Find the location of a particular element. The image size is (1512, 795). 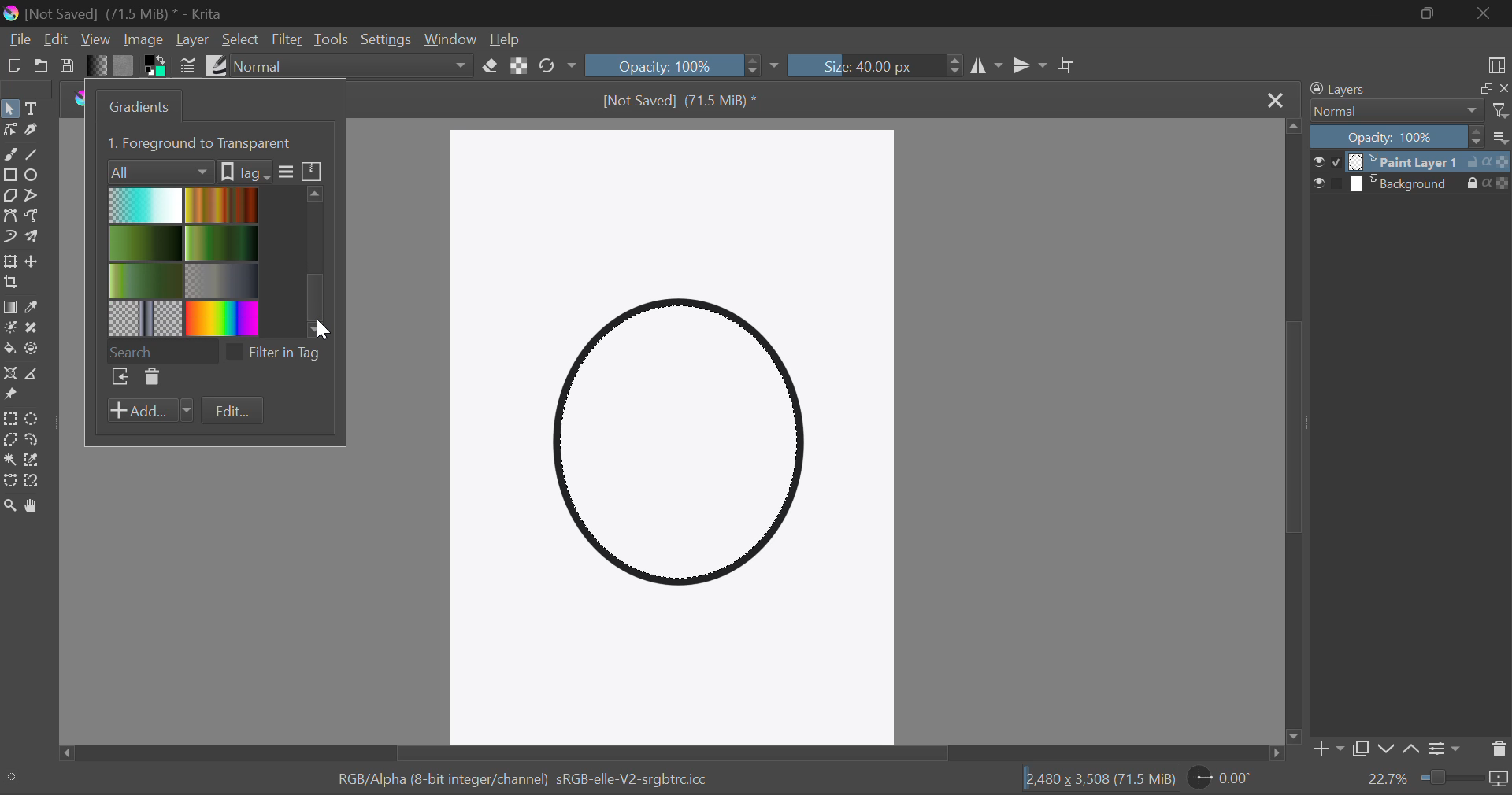

Settings is located at coordinates (384, 39).